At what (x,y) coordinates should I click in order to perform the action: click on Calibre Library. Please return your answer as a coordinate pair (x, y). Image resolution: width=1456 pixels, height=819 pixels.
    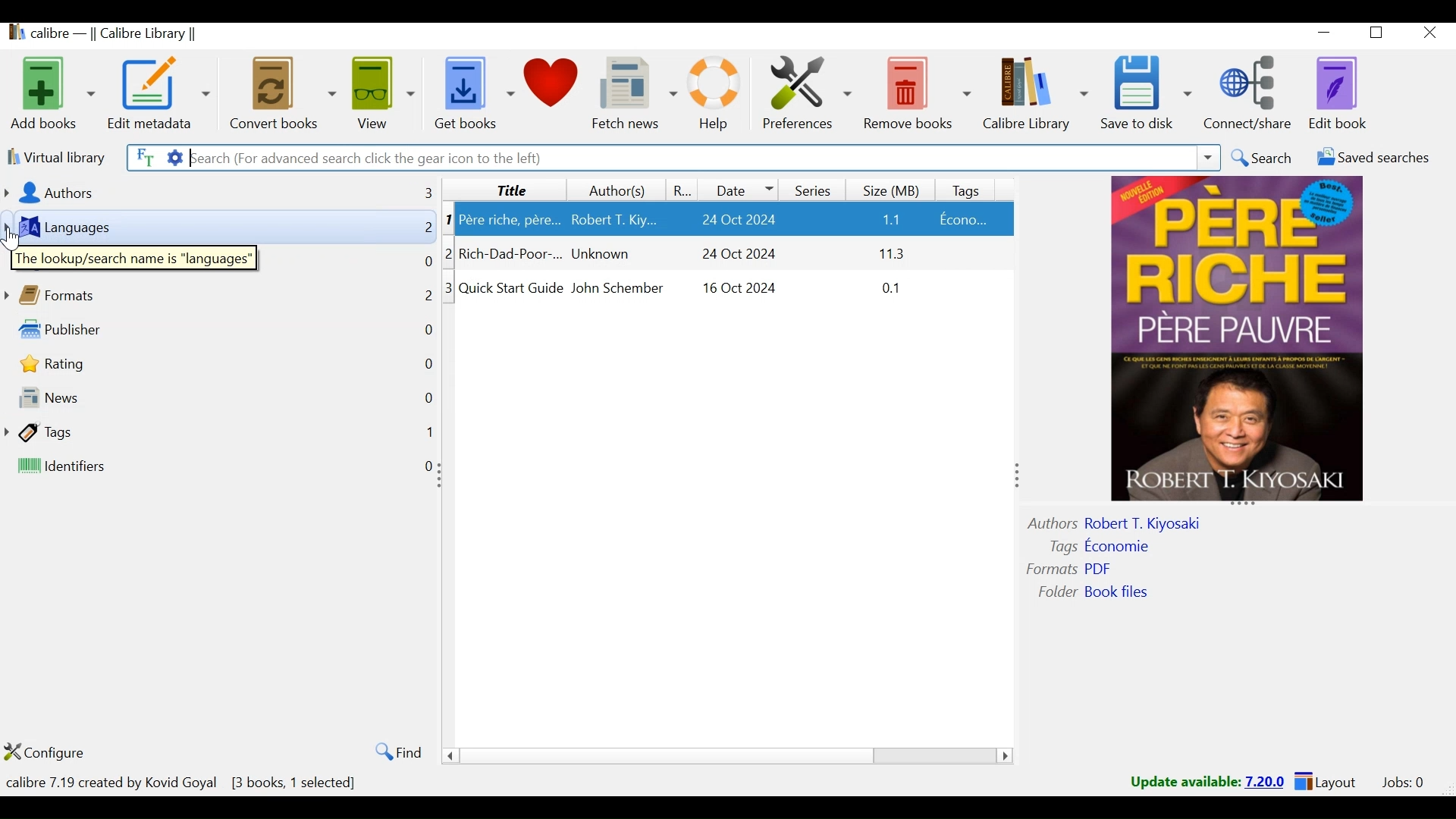
    Looking at the image, I should click on (1034, 94).